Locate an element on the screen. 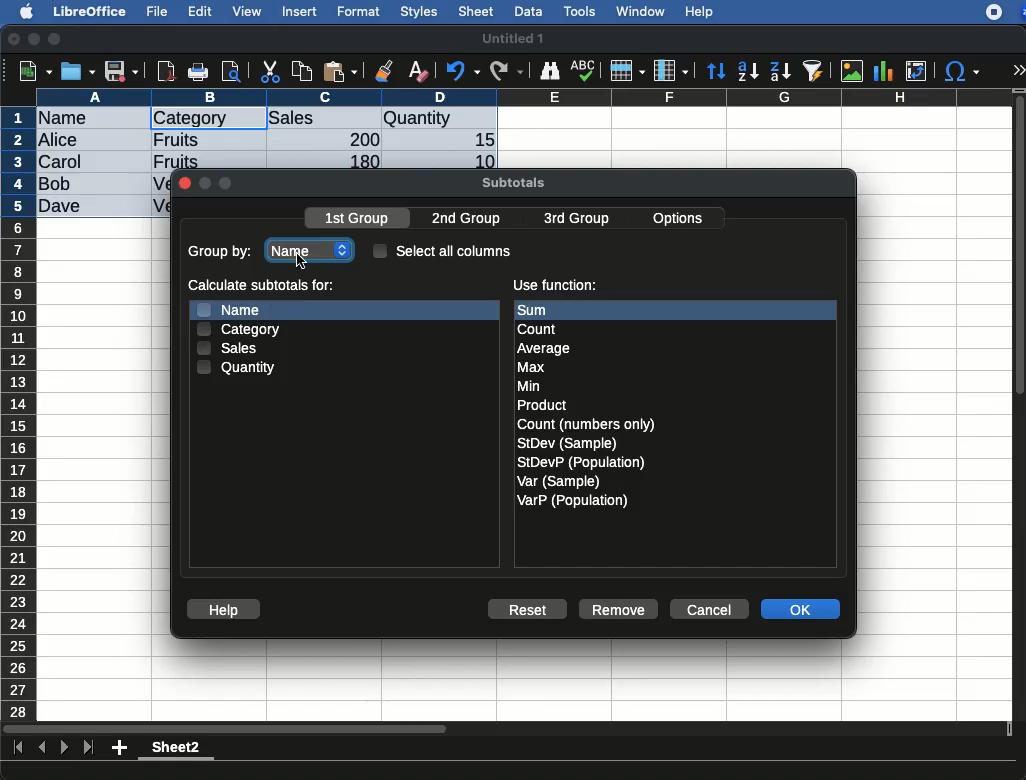 The height and width of the screenshot is (780, 1026). styles is located at coordinates (417, 14).